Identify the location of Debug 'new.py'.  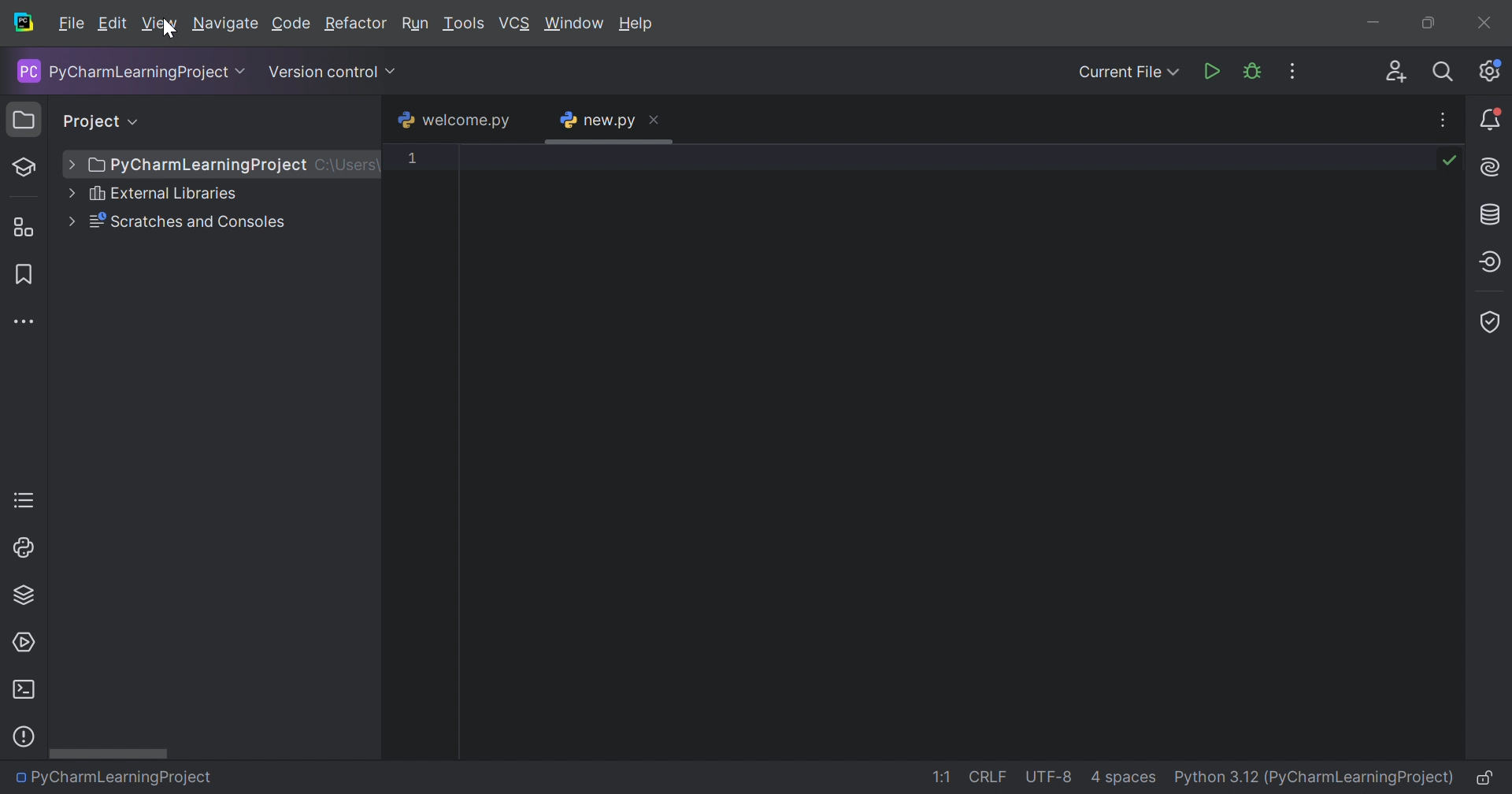
(1251, 72).